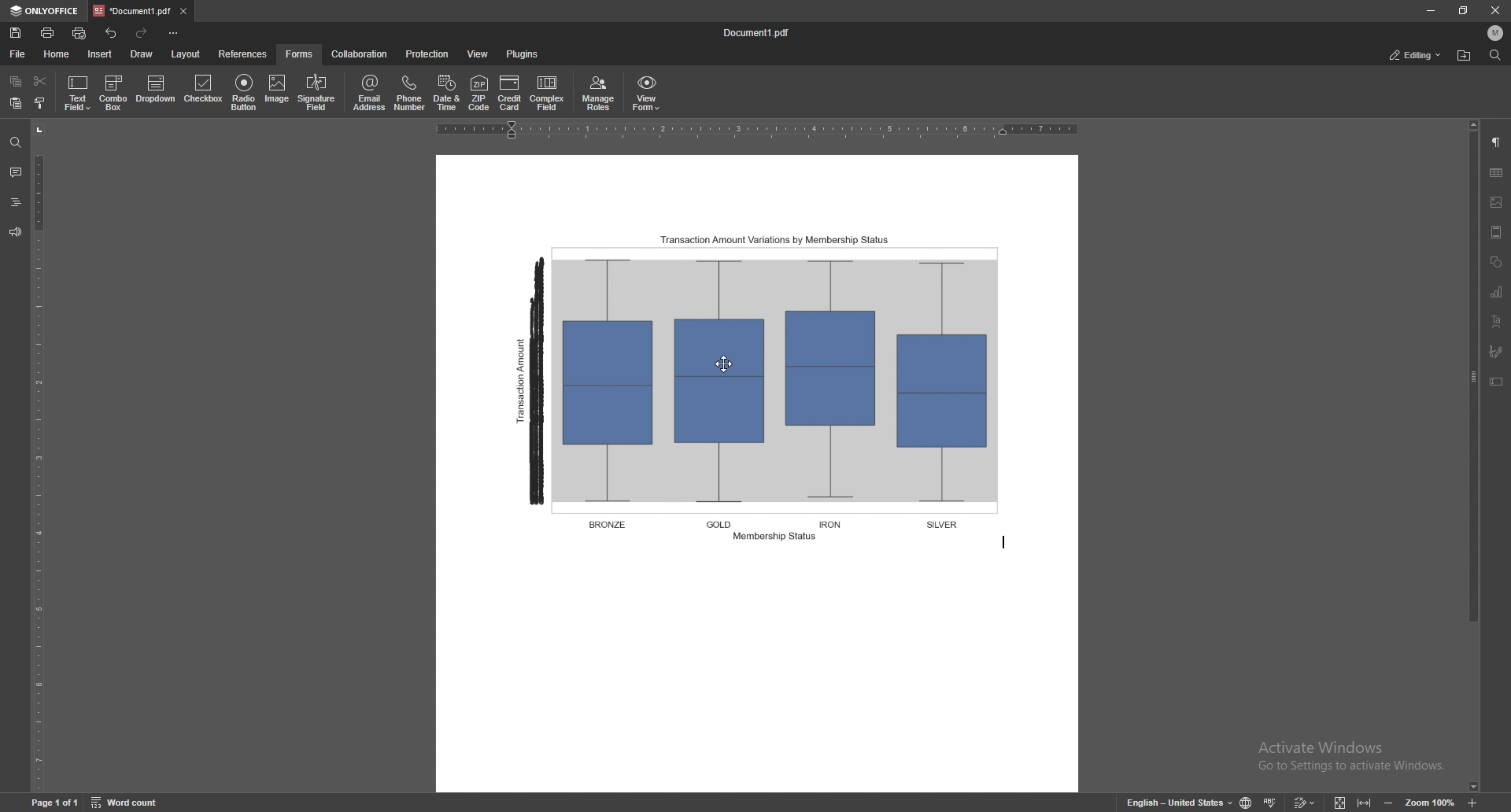 Image resolution: width=1511 pixels, height=812 pixels. Describe the element at coordinates (1430, 801) in the screenshot. I see `zoom` at that location.